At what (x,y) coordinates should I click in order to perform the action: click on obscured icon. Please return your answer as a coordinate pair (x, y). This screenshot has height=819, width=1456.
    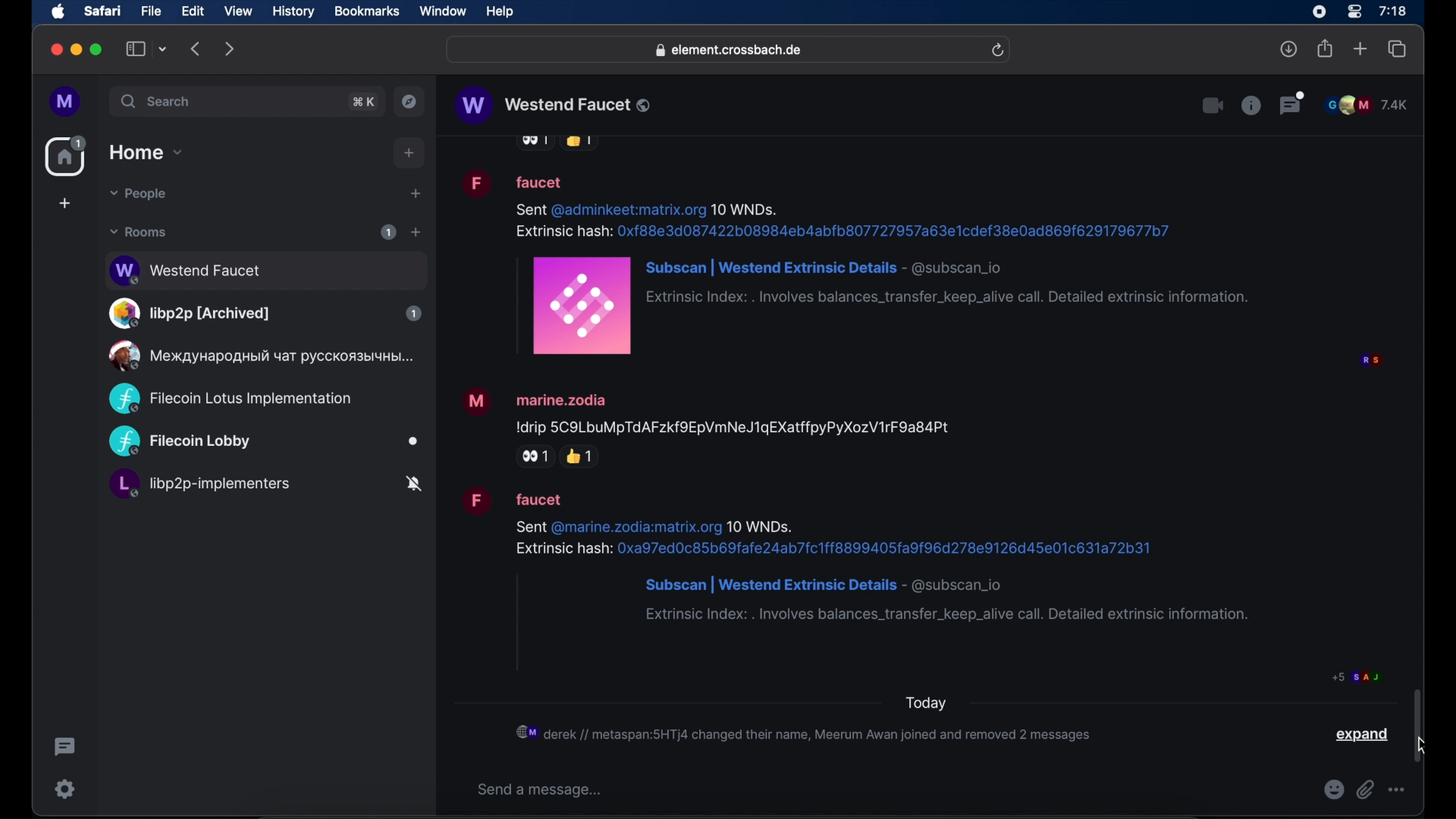
    Looking at the image, I should click on (579, 143).